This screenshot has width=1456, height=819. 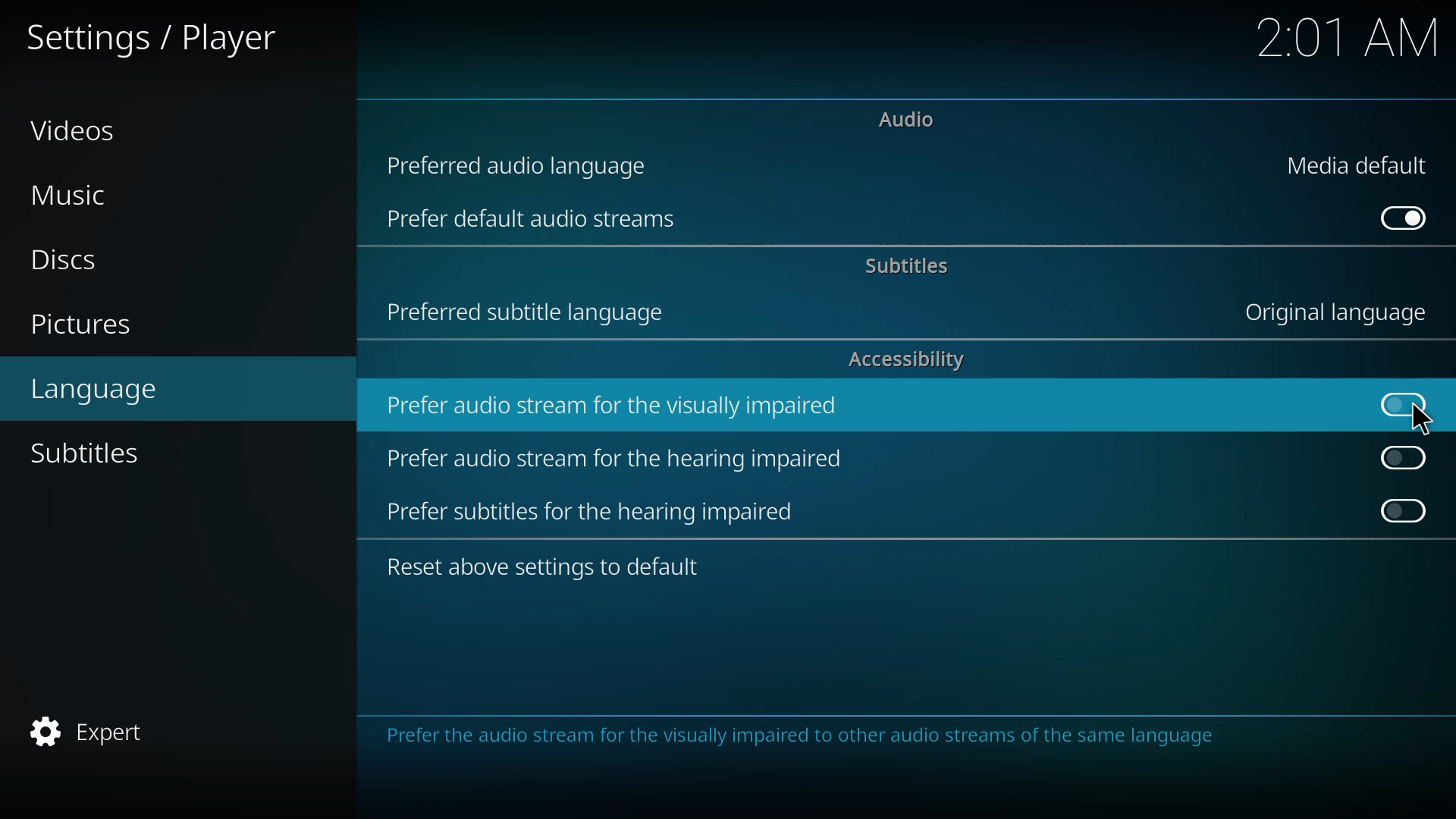 What do you see at coordinates (595, 512) in the screenshot?
I see `prefer subtitles for hearing impaired` at bounding box center [595, 512].